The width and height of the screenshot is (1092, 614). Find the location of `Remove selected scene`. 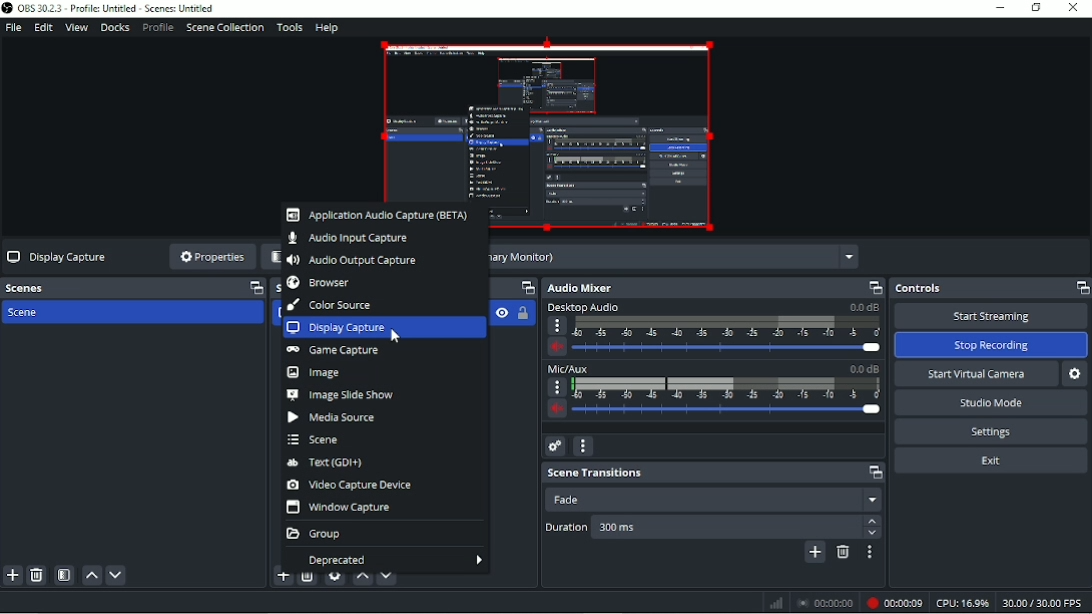

Remove selected scene is located at coordinates (37, 575).